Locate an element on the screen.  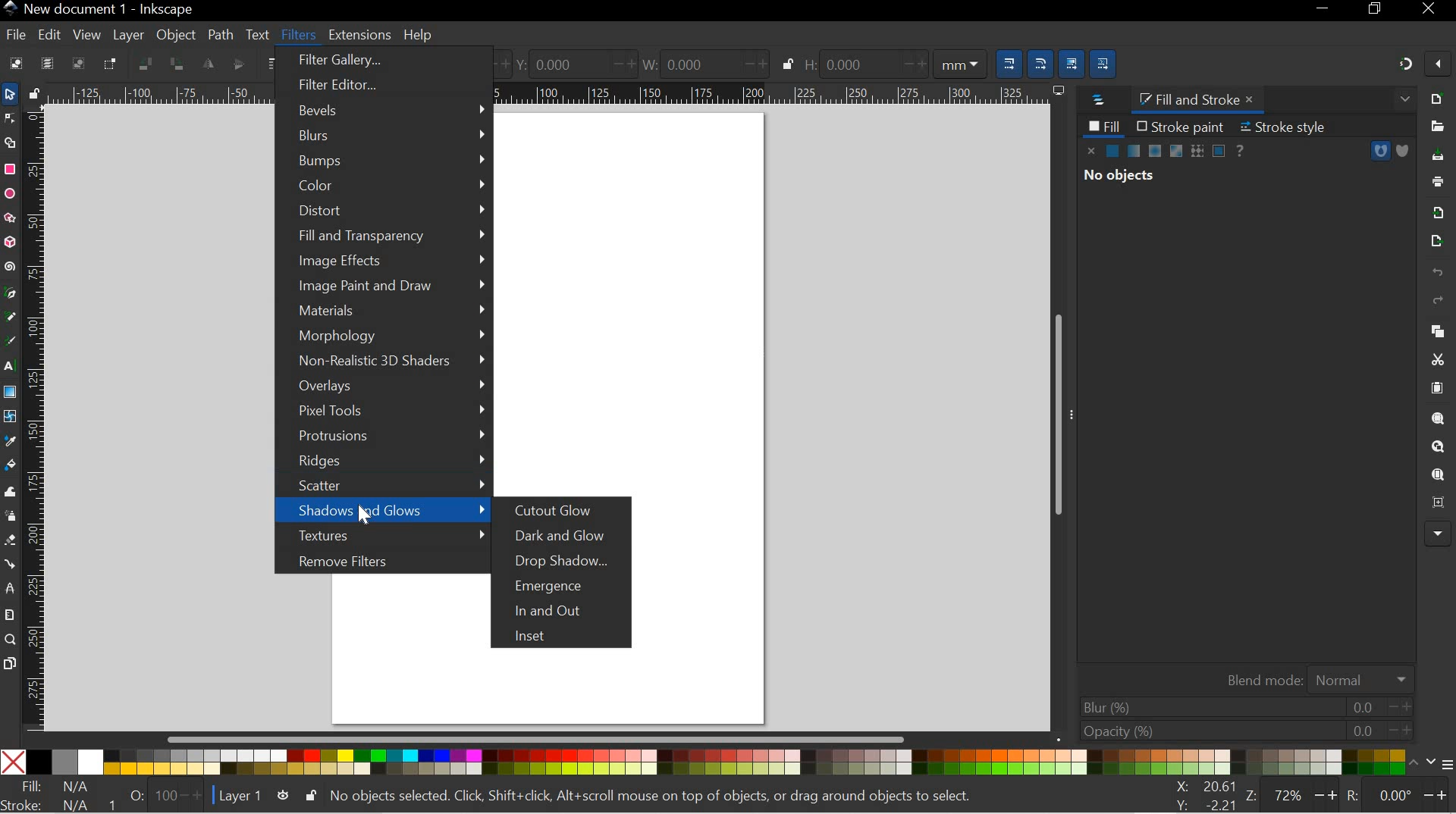
FIT is located at coordinates (56, 787).